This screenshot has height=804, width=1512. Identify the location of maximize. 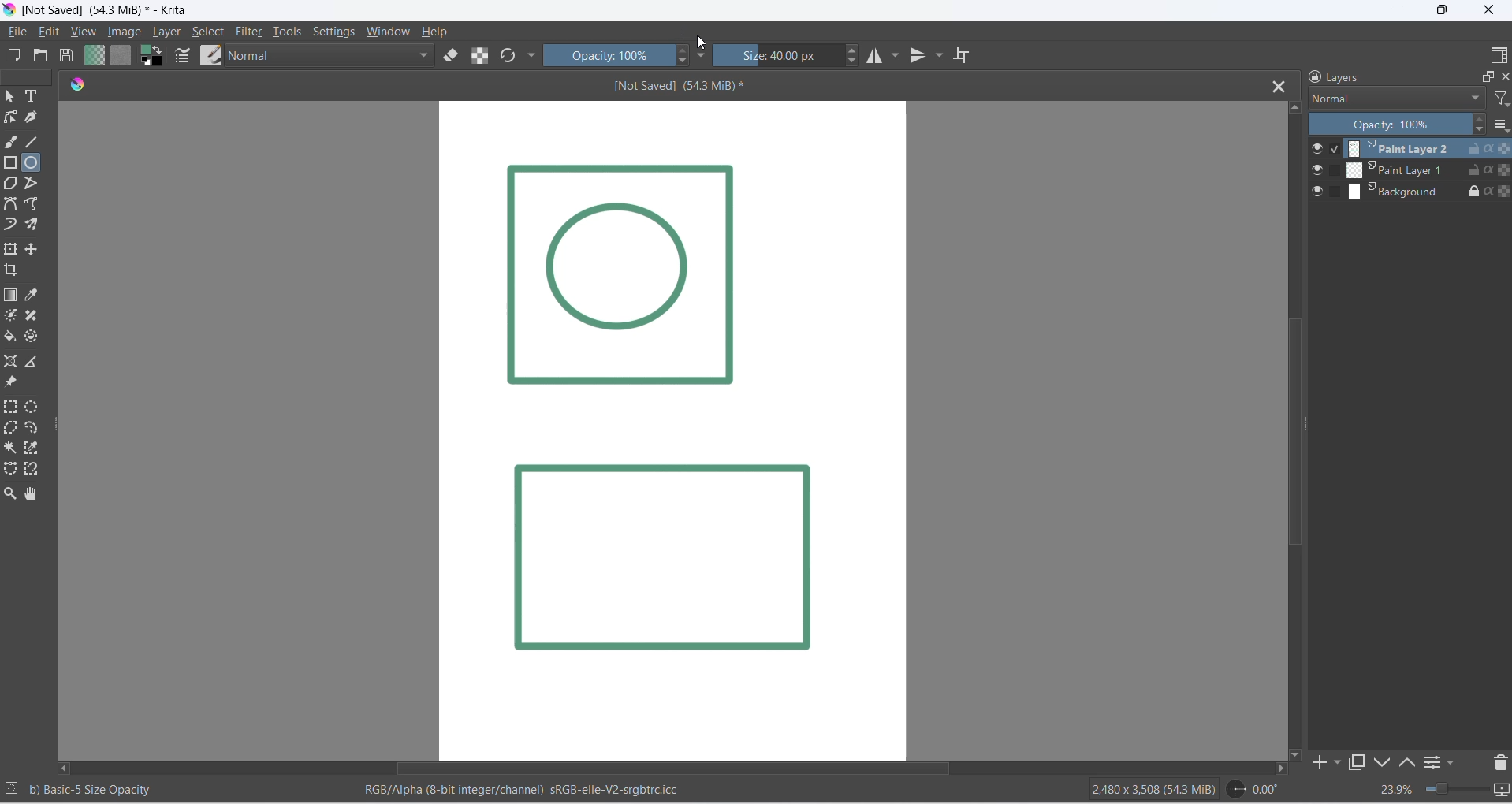
(1484, 75).